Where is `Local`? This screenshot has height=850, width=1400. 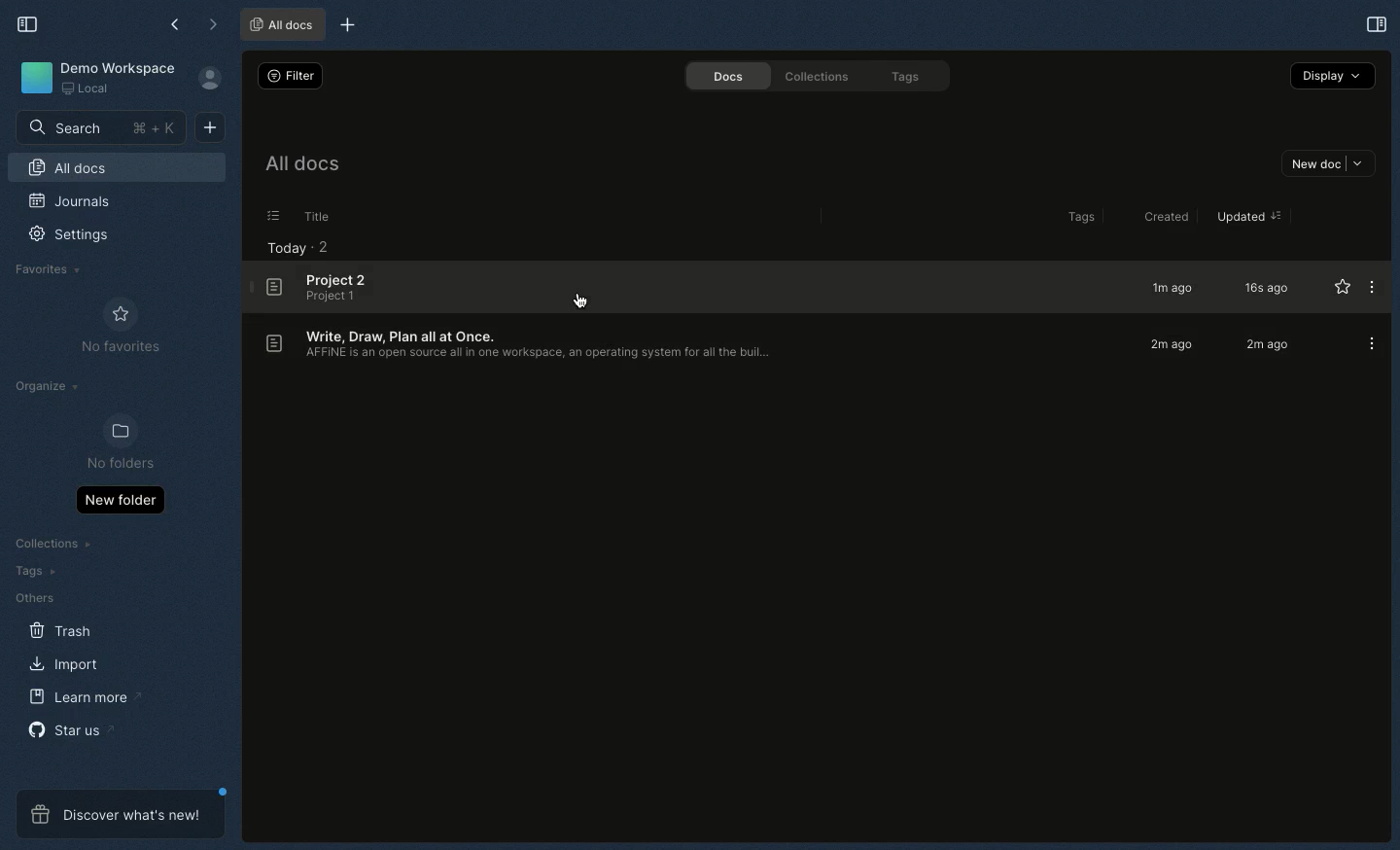
Local is located at coordinates (88, 89).